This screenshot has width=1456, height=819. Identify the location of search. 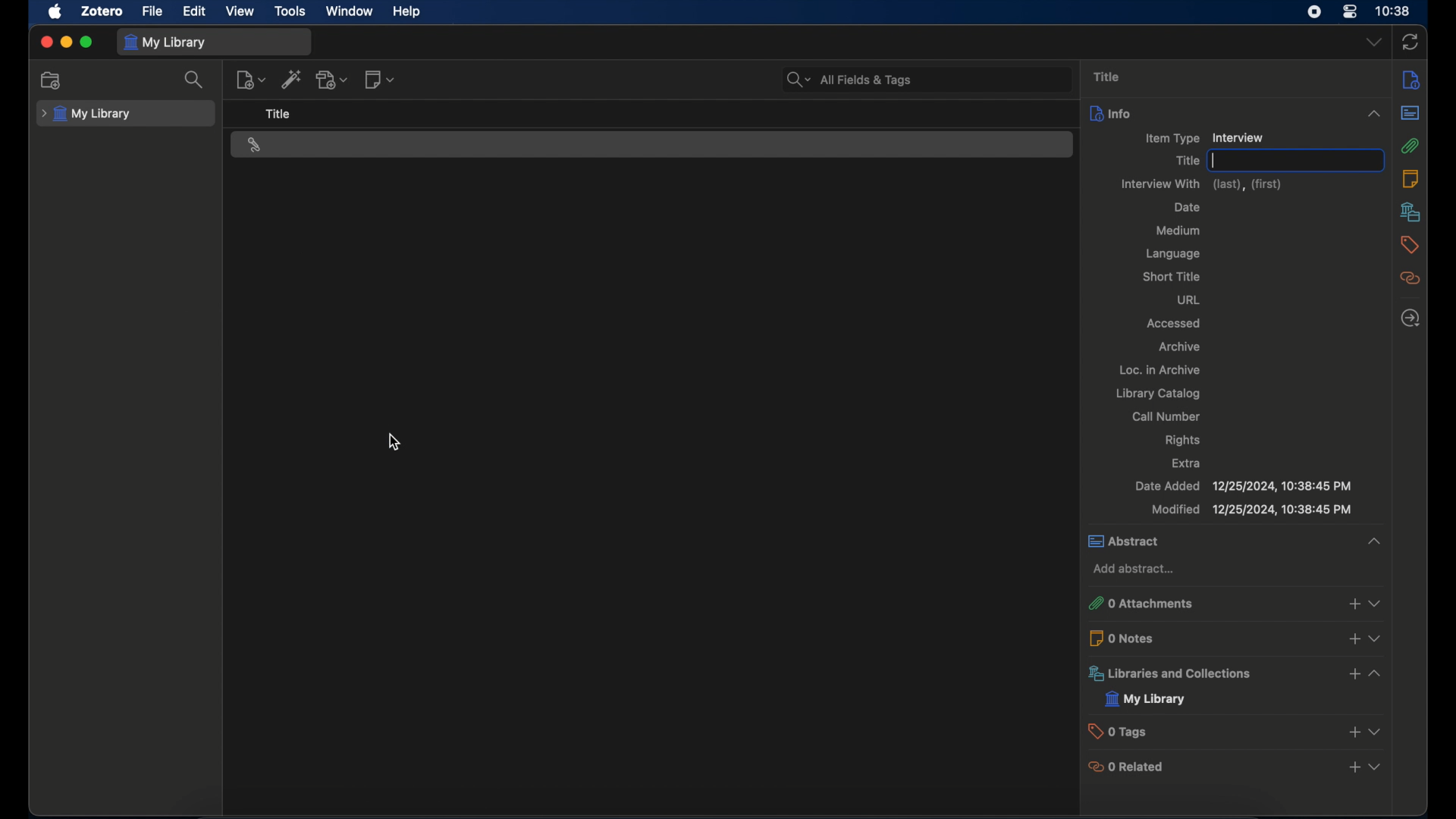
(194, 79).